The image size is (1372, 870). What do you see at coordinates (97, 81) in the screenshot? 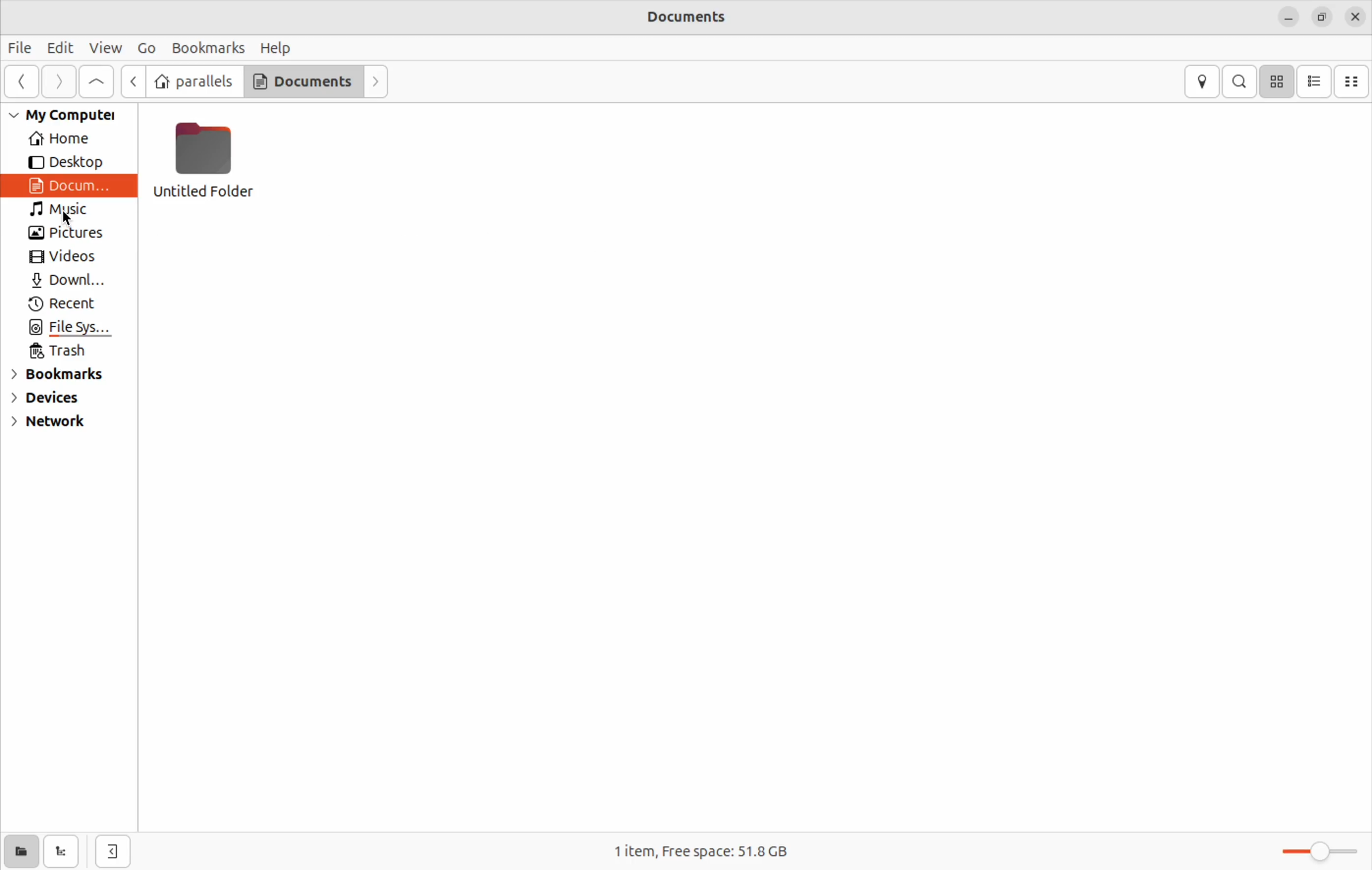
I see `go first ` at bounding box center [97, 81].